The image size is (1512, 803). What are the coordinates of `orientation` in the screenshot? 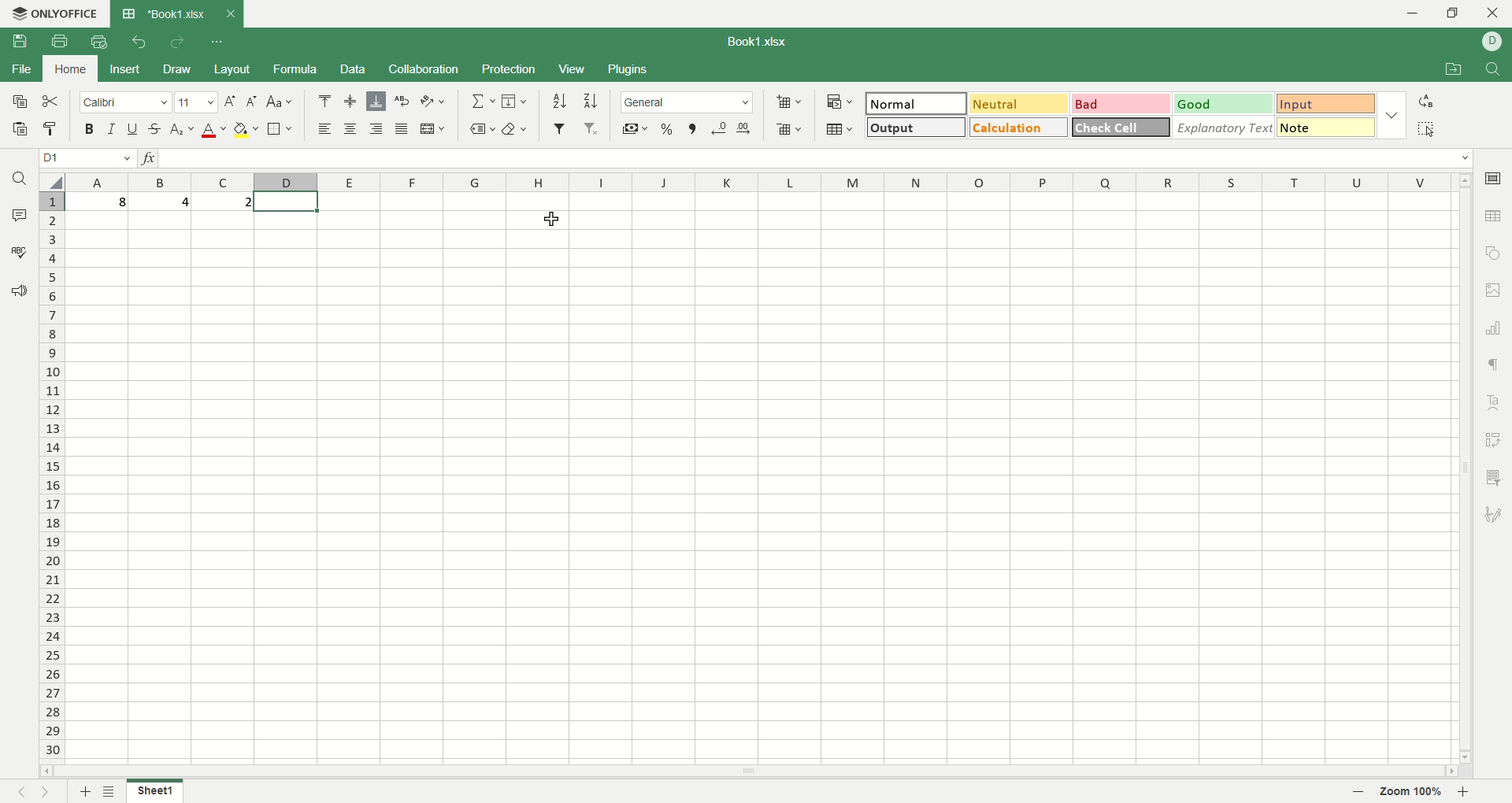 It's located at (435, 102).